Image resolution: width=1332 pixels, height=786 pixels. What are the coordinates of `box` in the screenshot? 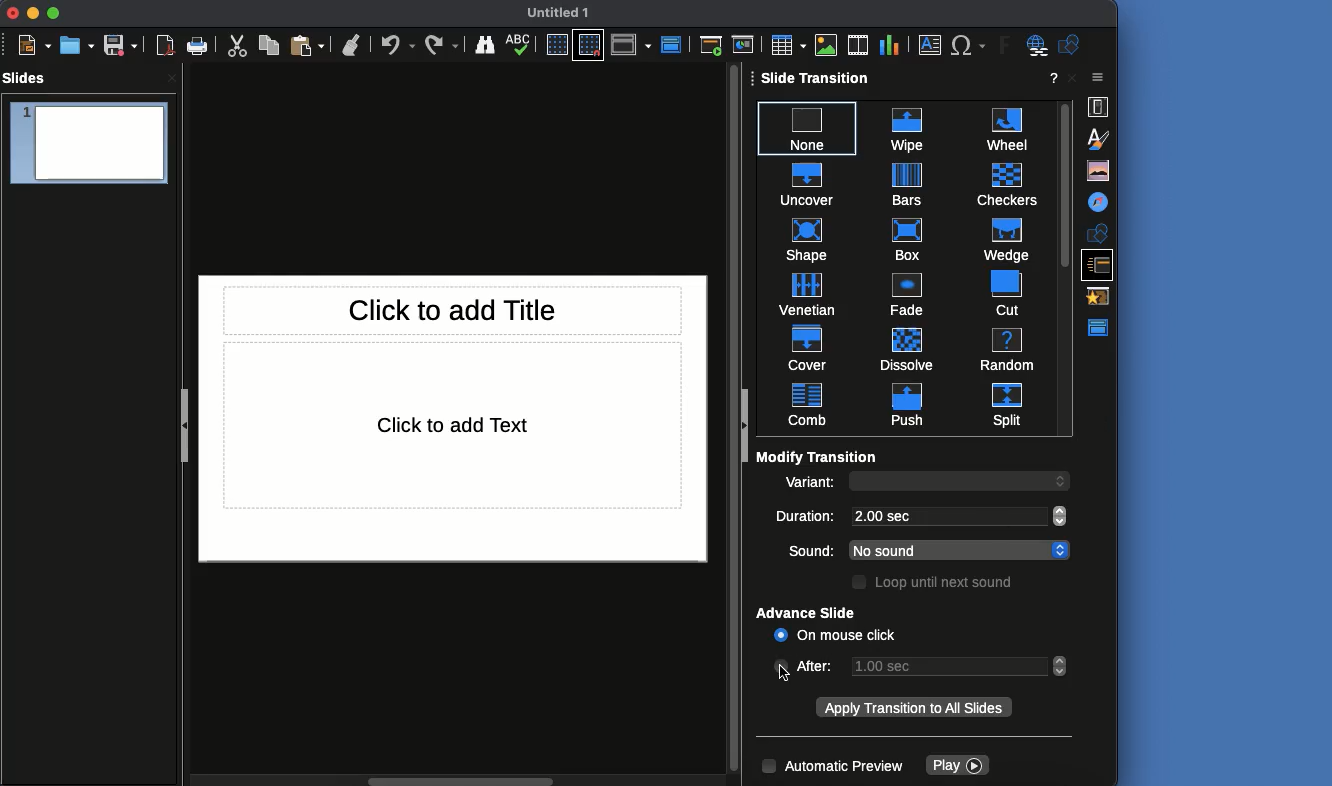 It's located at (908, 238).